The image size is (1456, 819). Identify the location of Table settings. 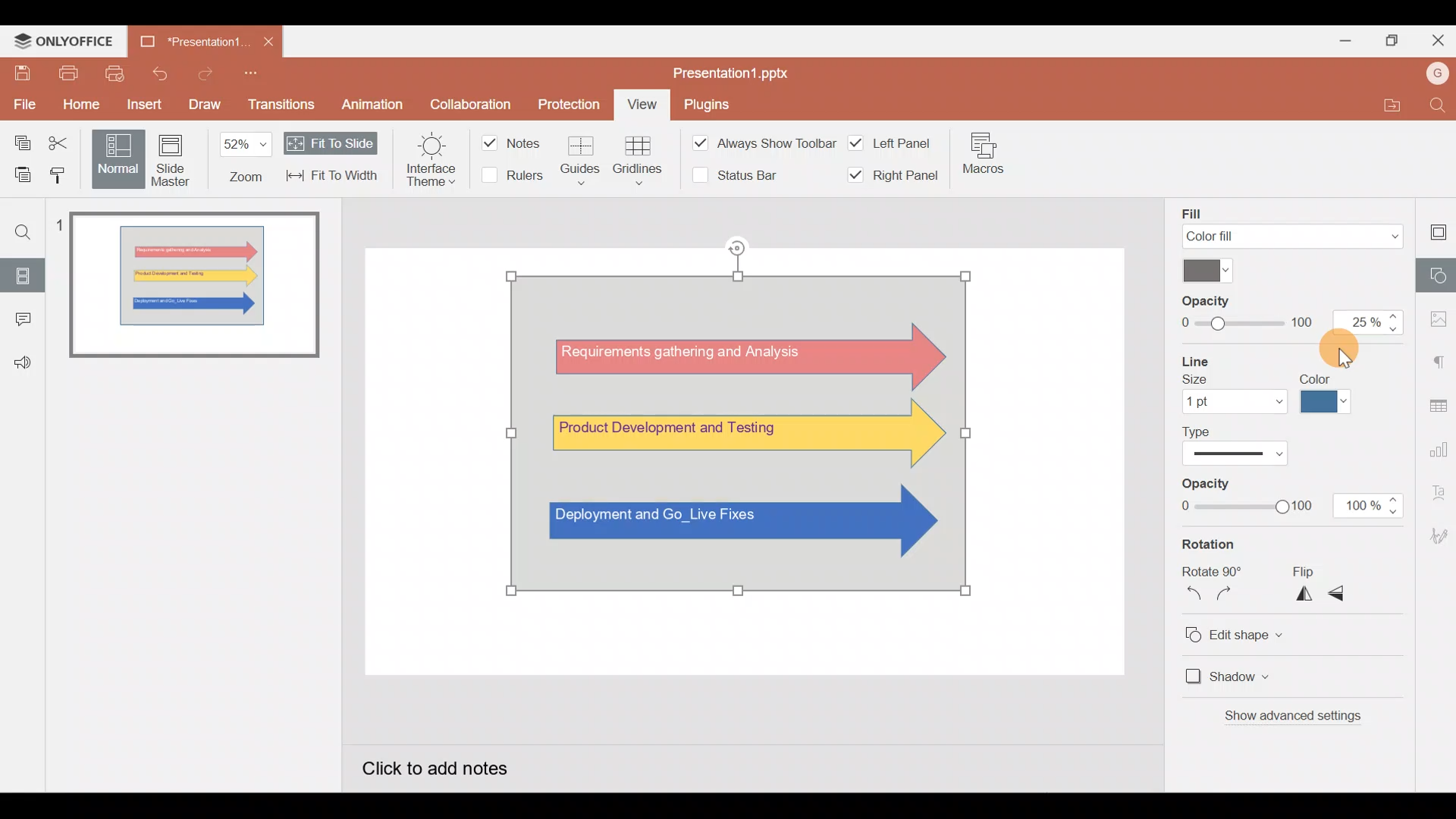
(1437, 401).